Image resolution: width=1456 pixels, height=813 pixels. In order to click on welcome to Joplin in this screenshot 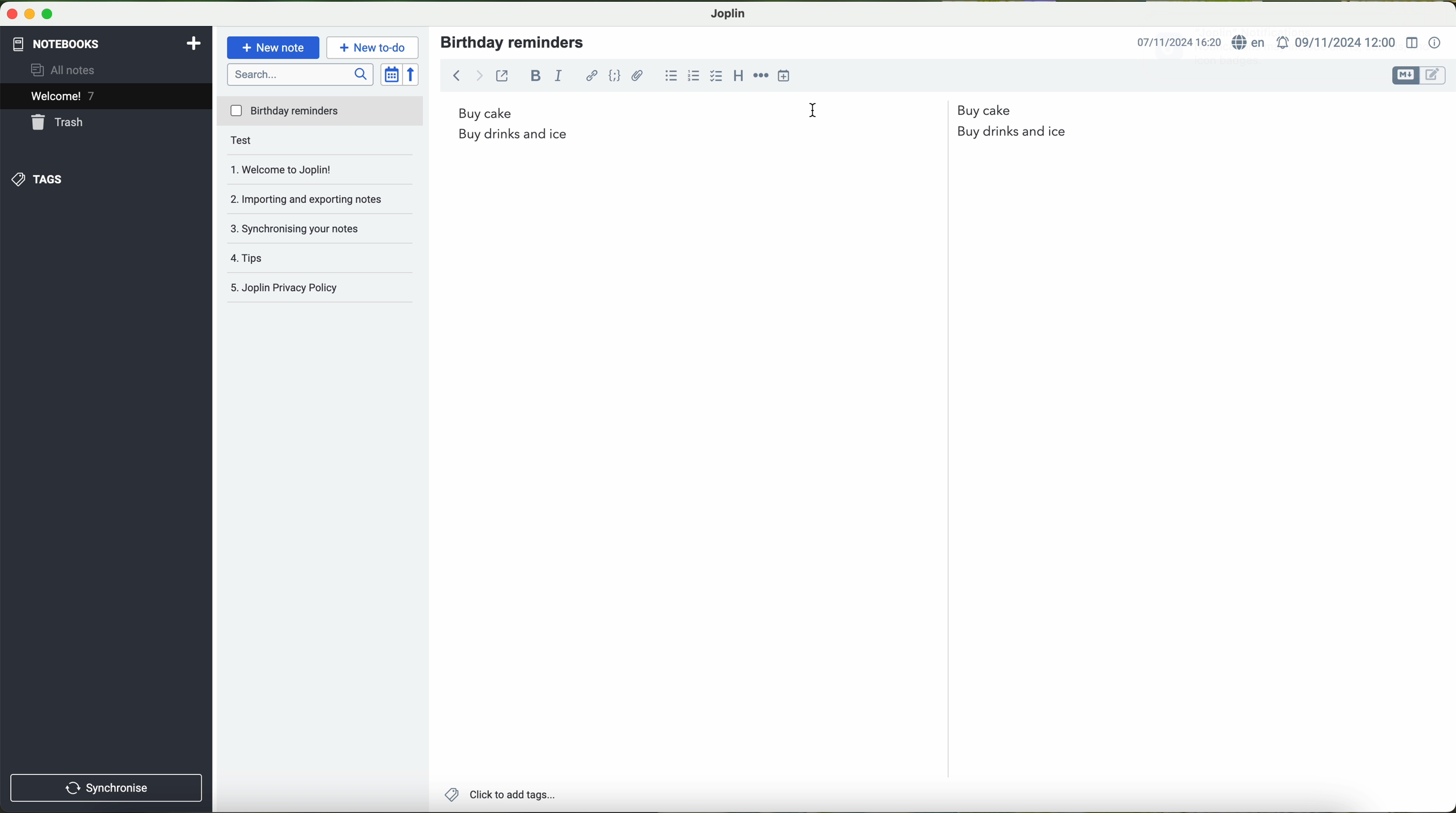, I will do `click(297, 169)`.